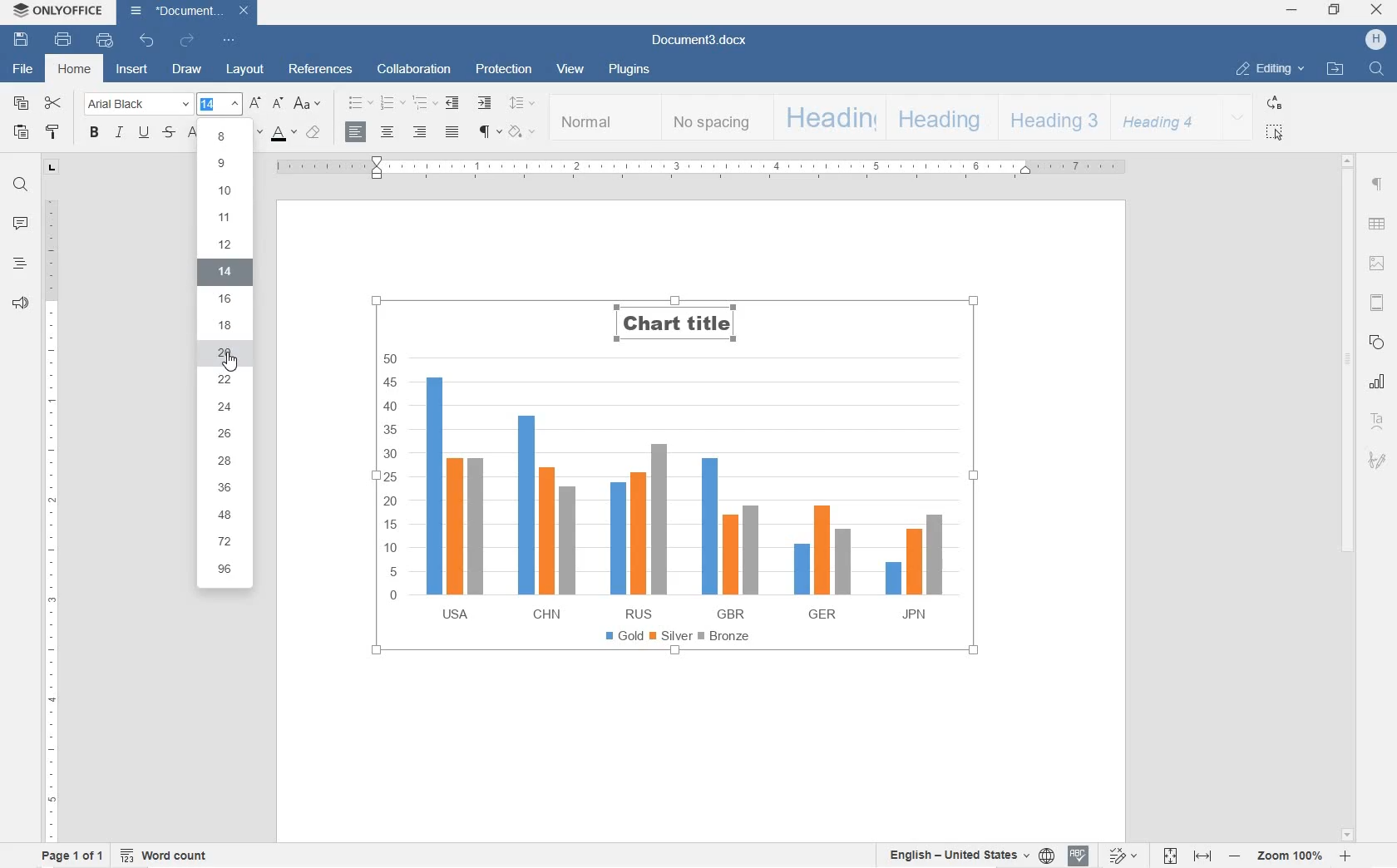 This screenshot has width=1397, height=868. Describe the element at coordinates (224, 245) in the screenshot. I see `12` at that location.